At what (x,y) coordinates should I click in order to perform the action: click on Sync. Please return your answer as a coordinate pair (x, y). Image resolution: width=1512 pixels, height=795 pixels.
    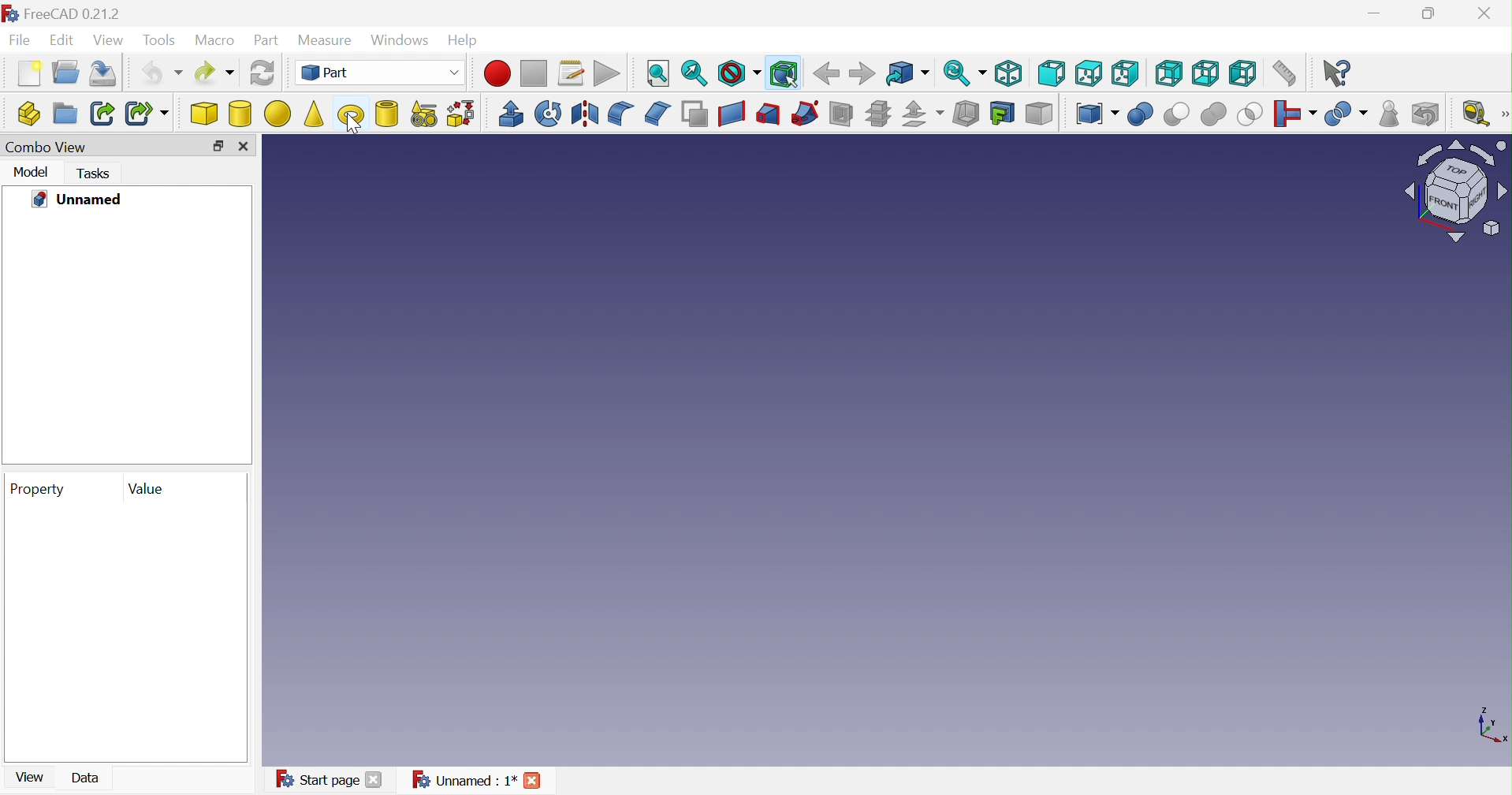
    Looking at the image, I should click on (965, 73).